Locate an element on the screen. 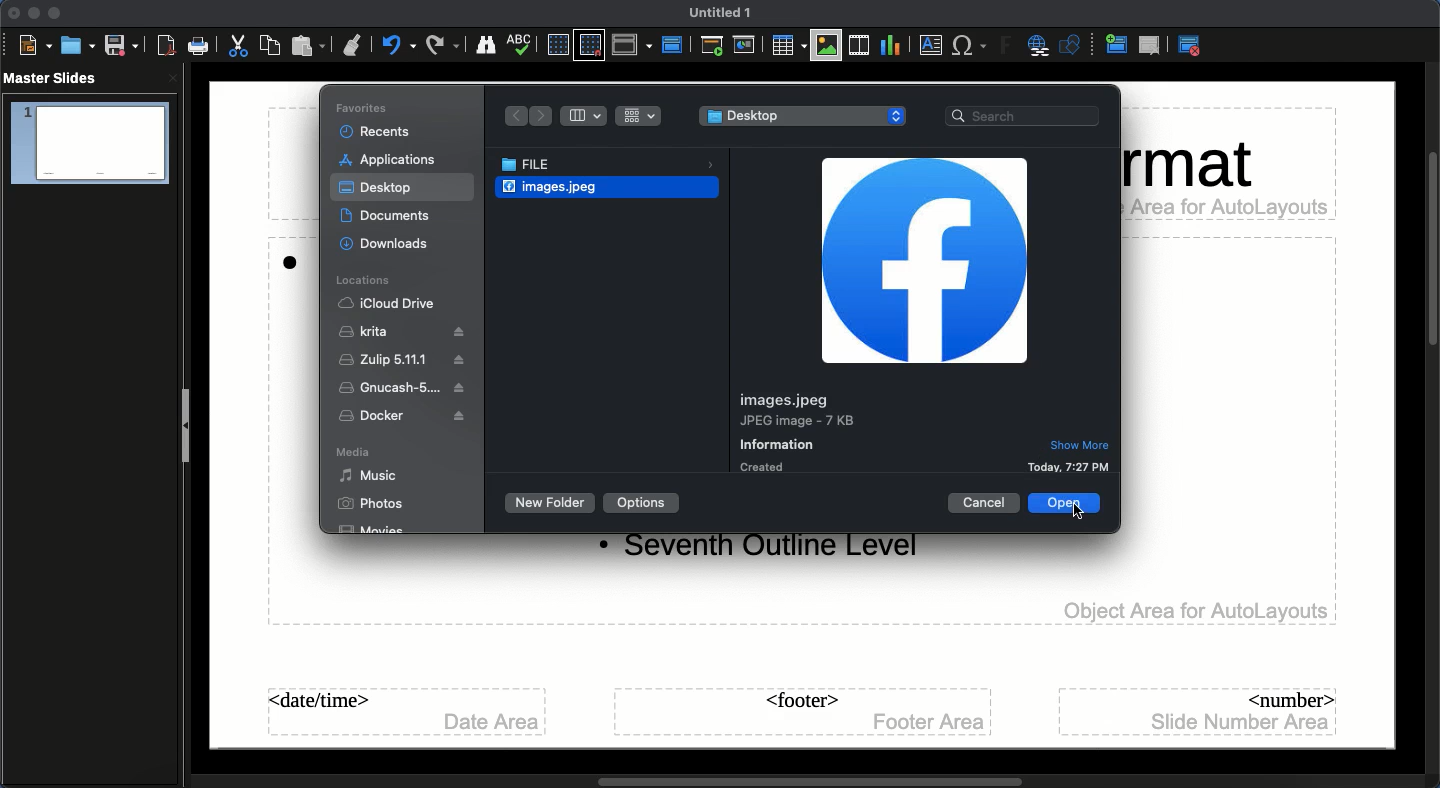 Image resolution: width=1440 pixels, height=788 pixels. Desktop is located at coordinates (802, 115).